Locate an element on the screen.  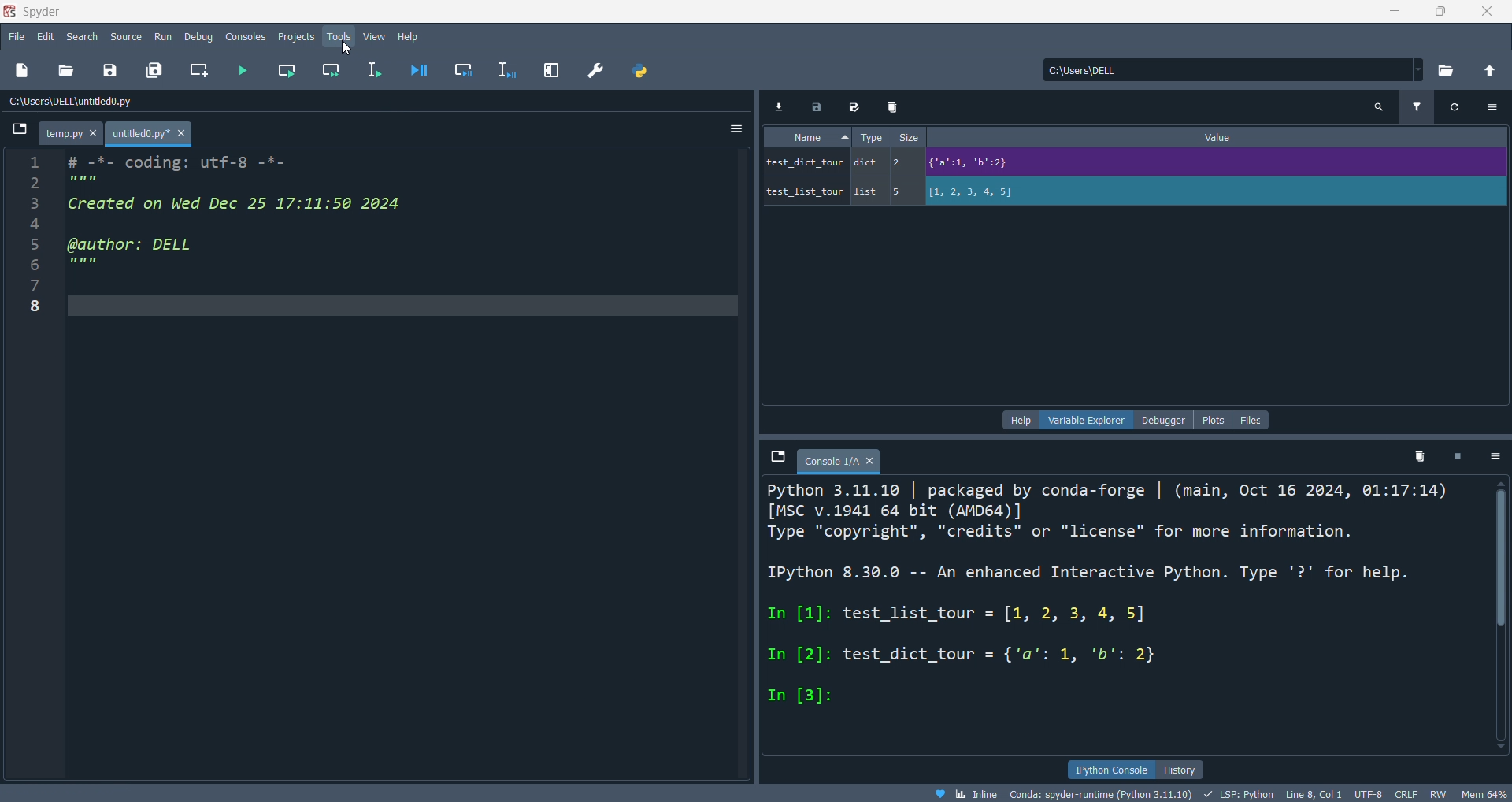
8 is located at coordinates (39, 309).